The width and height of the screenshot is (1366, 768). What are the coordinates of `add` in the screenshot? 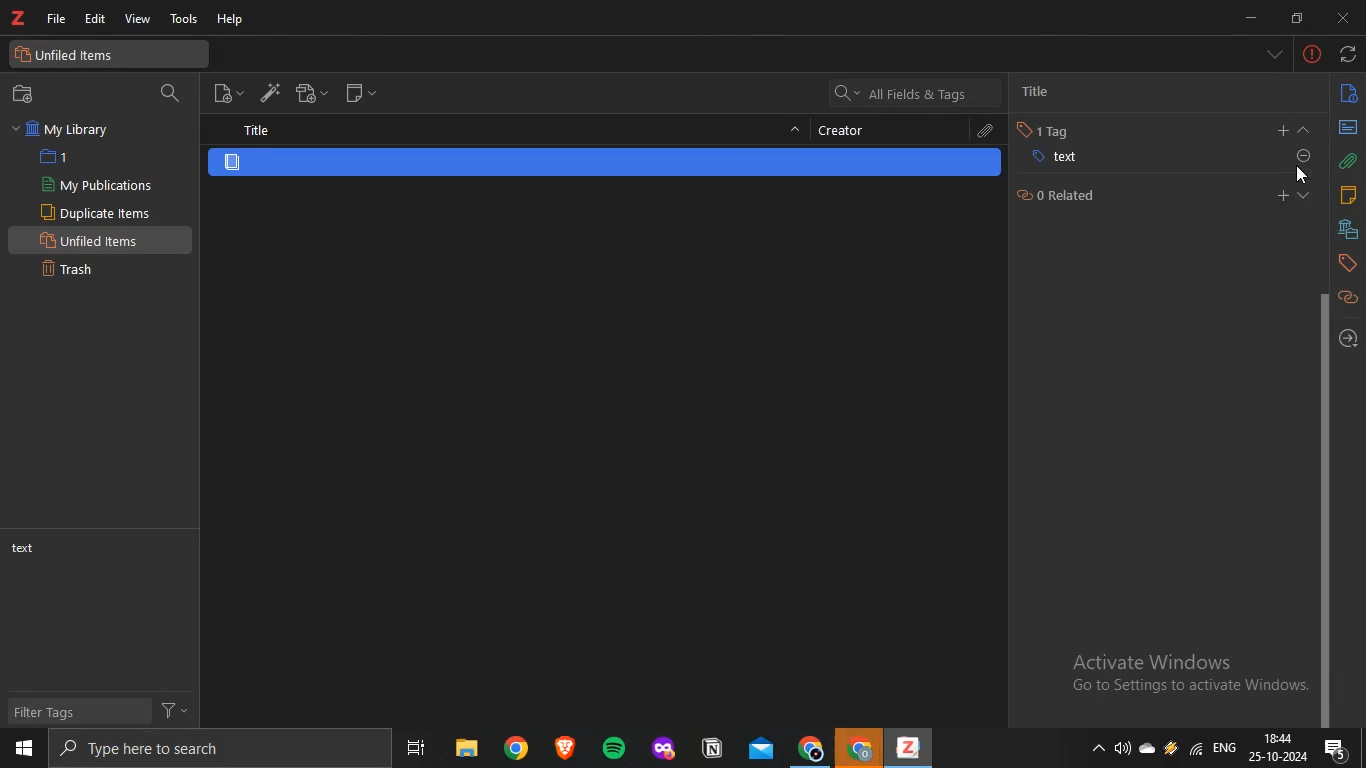 It's located at (1283, 195).